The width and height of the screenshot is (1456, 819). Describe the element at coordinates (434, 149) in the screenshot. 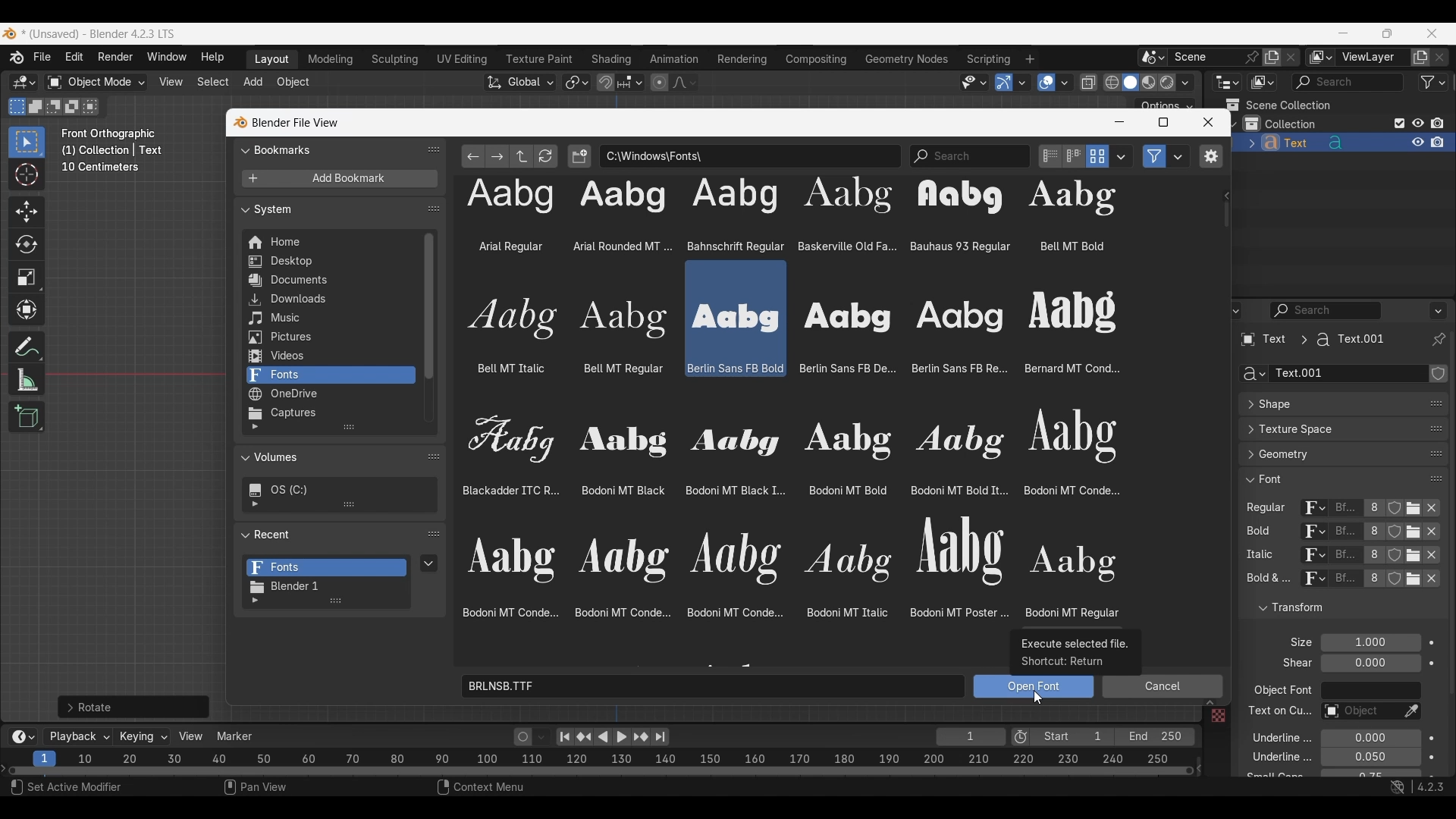

I see `Change order in list` at that location.